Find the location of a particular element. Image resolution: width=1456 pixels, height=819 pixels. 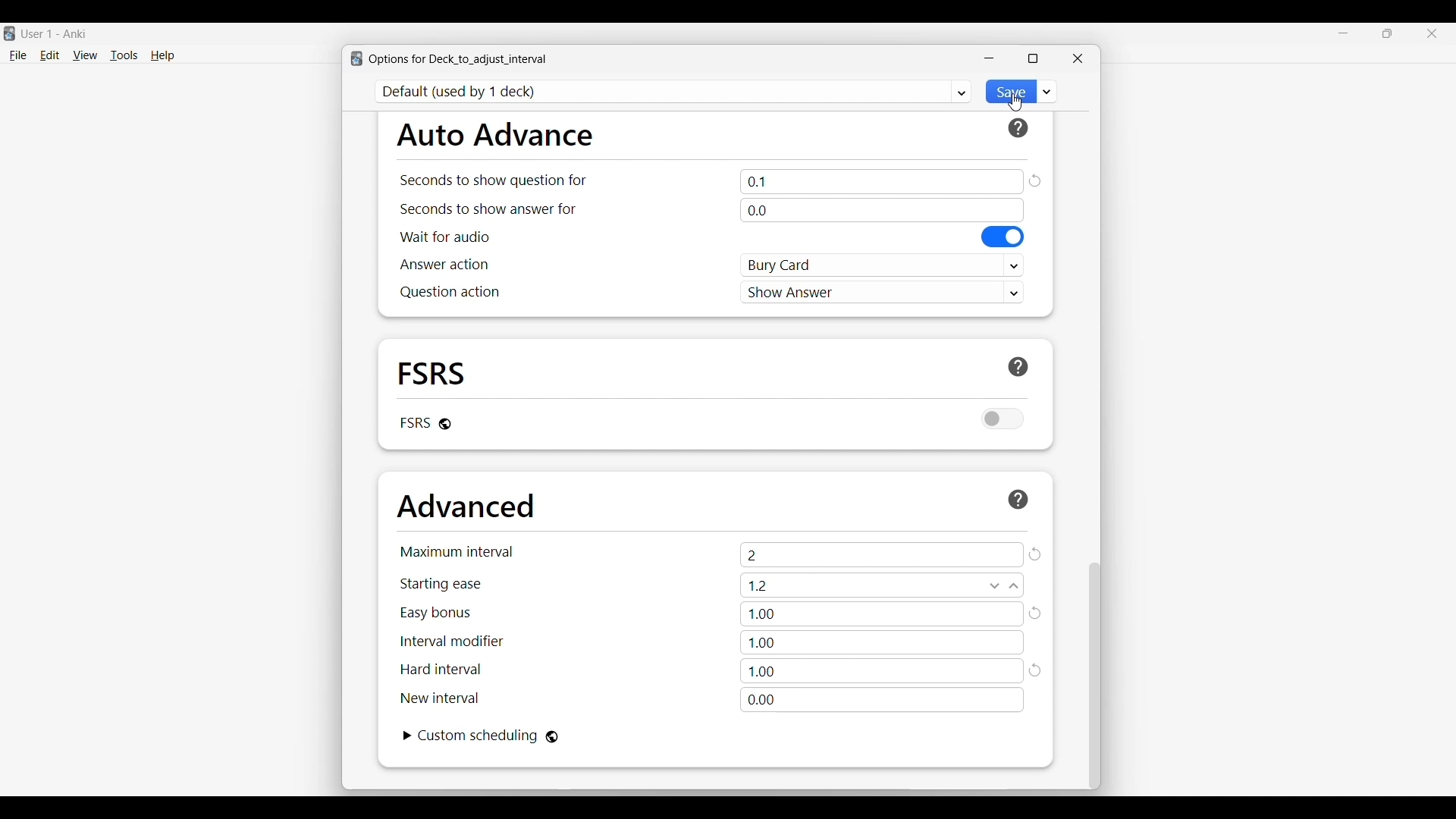

Auto Advance is located at coordinates (494, 134).